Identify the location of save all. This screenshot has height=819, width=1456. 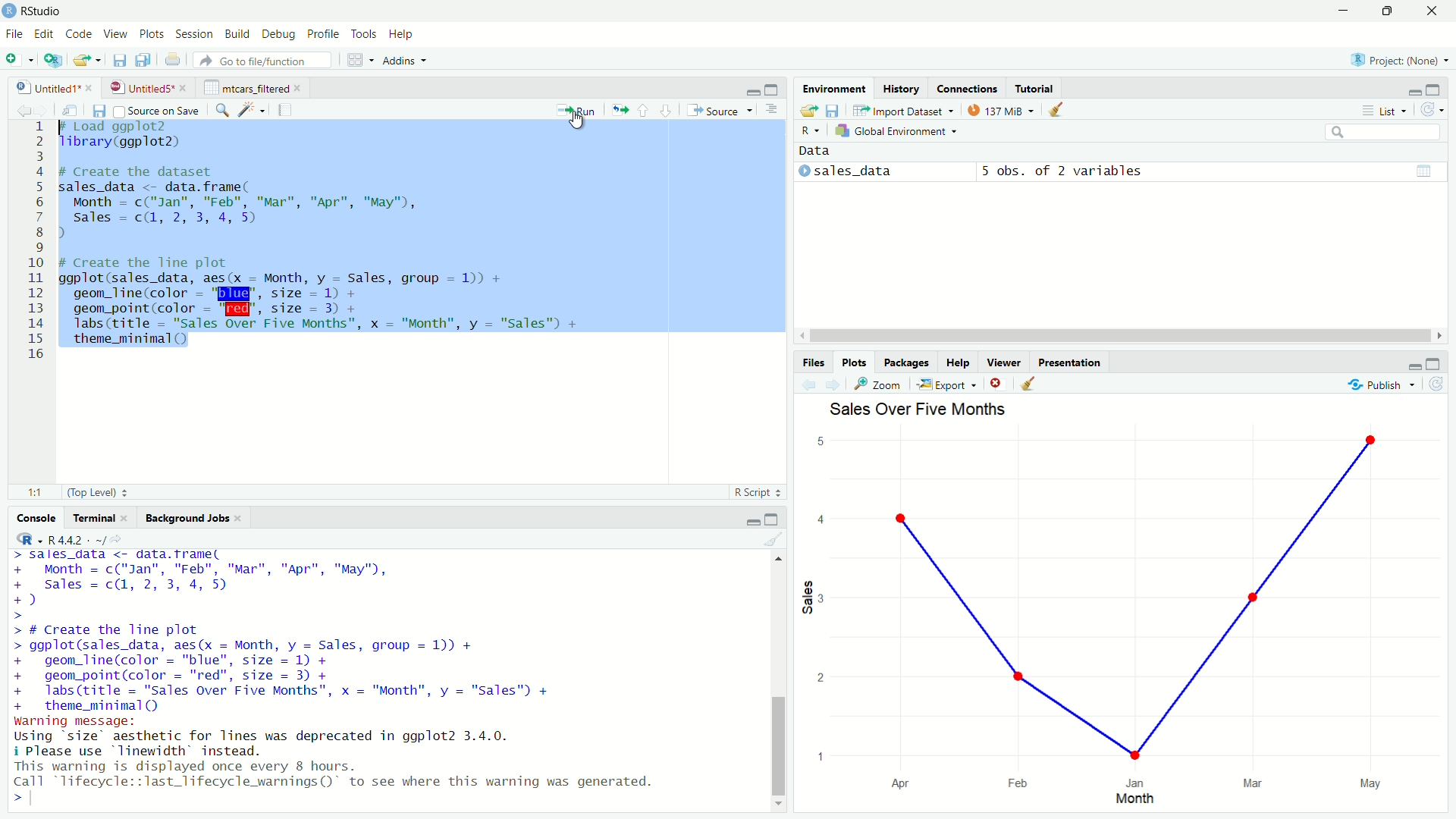
(143, 60).